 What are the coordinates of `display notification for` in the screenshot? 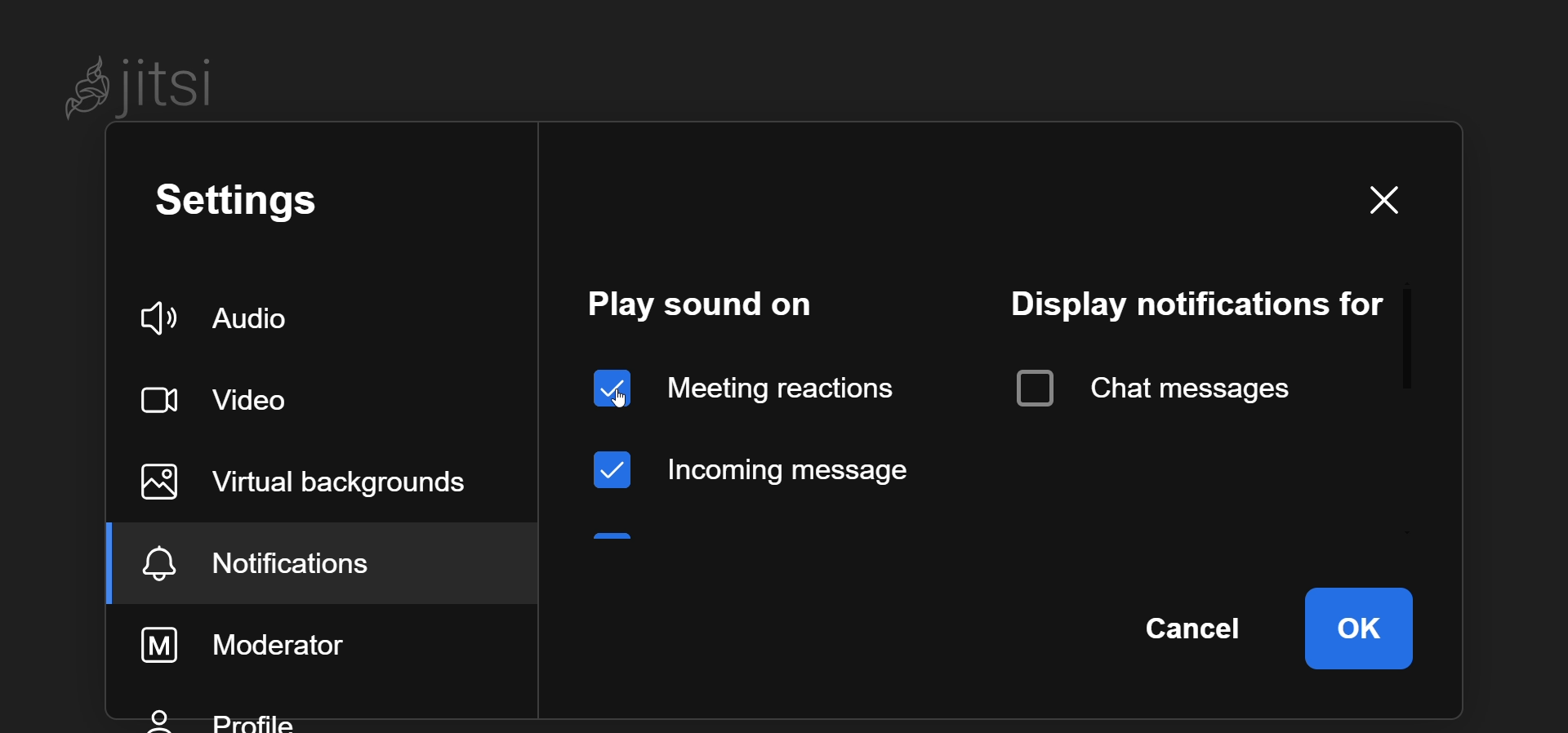 It's located at (1195, 308).